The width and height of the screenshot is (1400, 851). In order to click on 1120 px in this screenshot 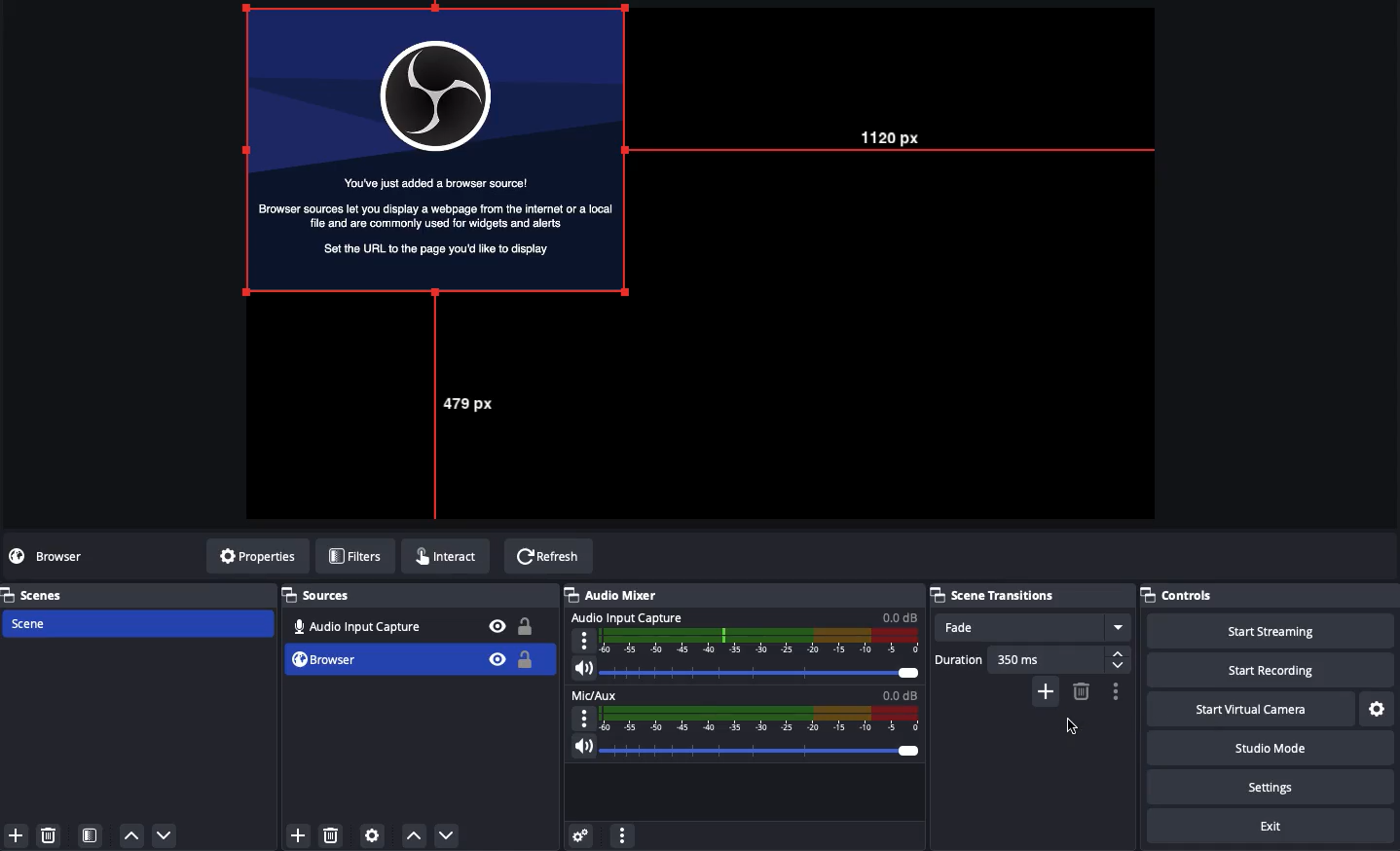, I will do `click(895, 144)`.